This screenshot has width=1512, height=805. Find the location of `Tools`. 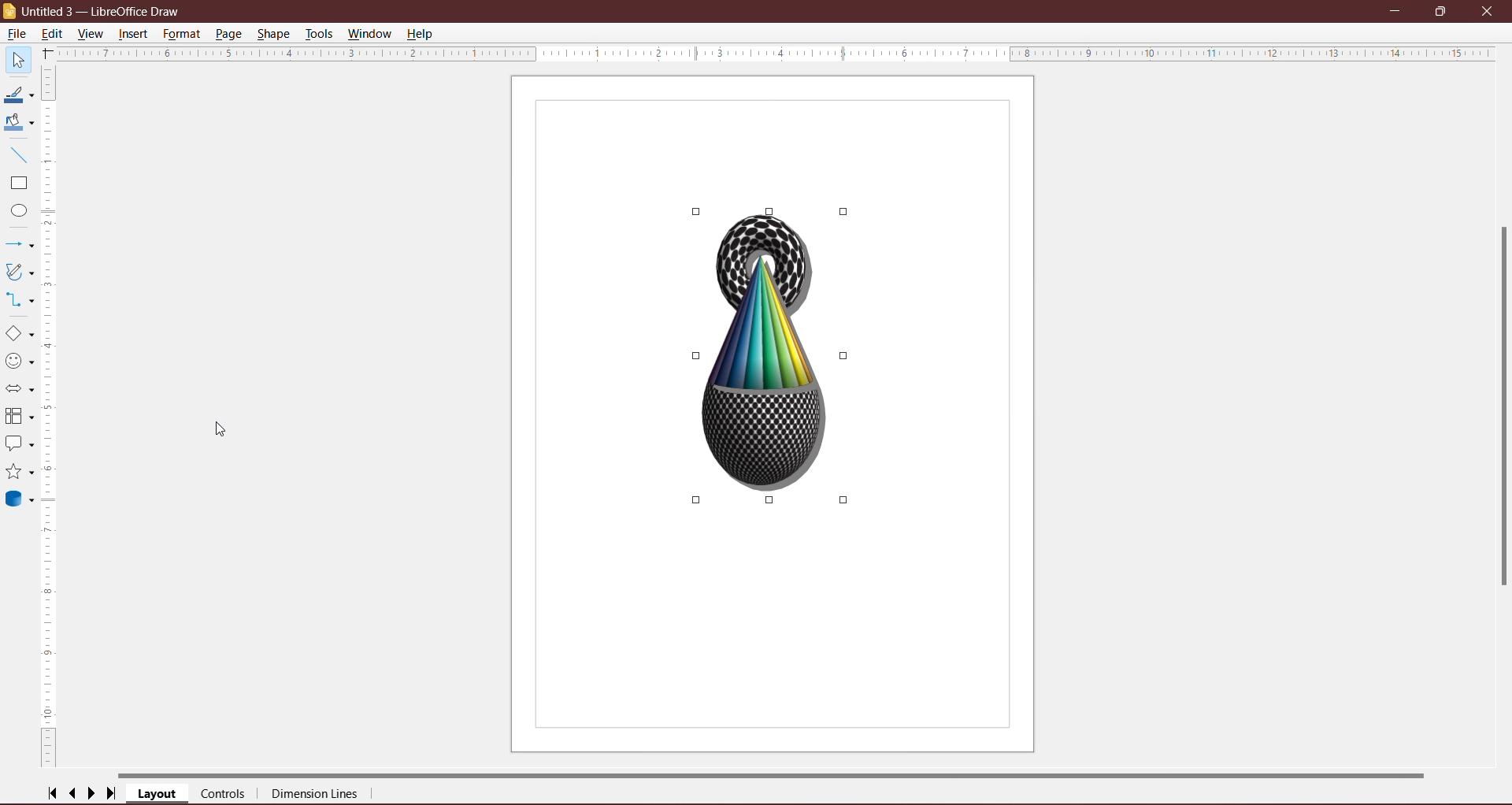

Tools is located at coordinates (320, 33).